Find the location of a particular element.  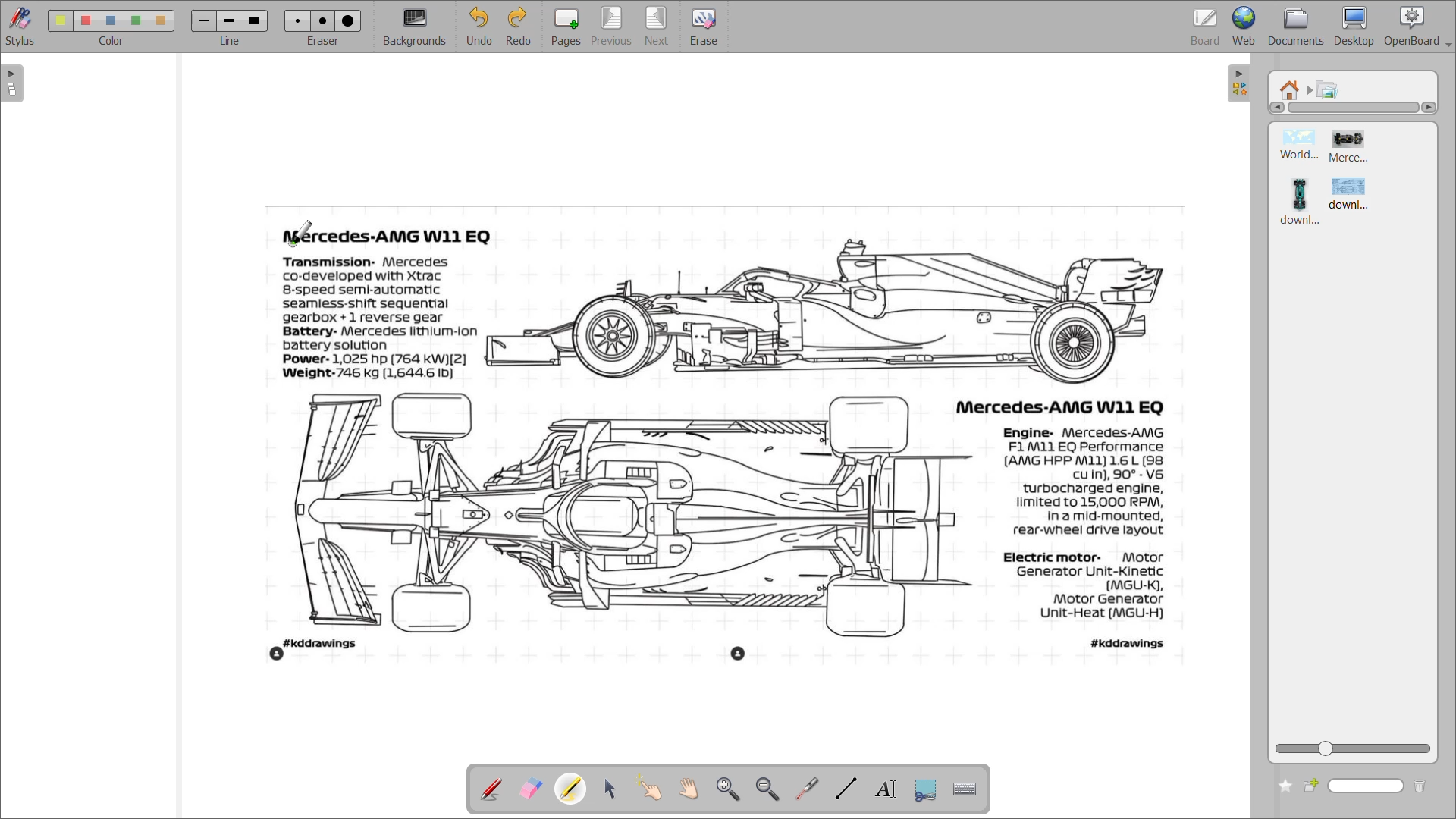

pictures is located at coordinates (1326, 86).